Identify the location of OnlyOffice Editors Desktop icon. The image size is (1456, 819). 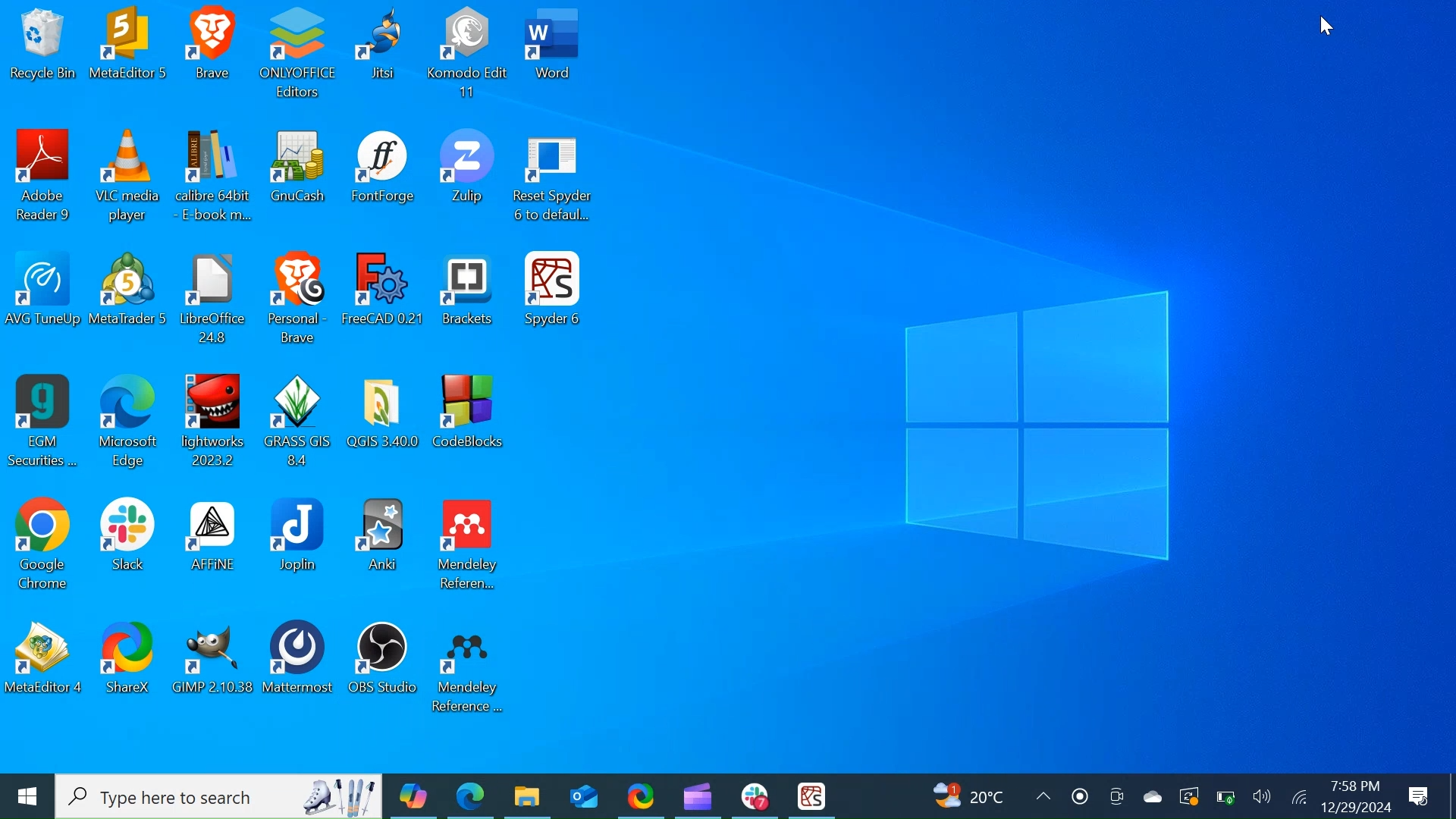
(299, 52).